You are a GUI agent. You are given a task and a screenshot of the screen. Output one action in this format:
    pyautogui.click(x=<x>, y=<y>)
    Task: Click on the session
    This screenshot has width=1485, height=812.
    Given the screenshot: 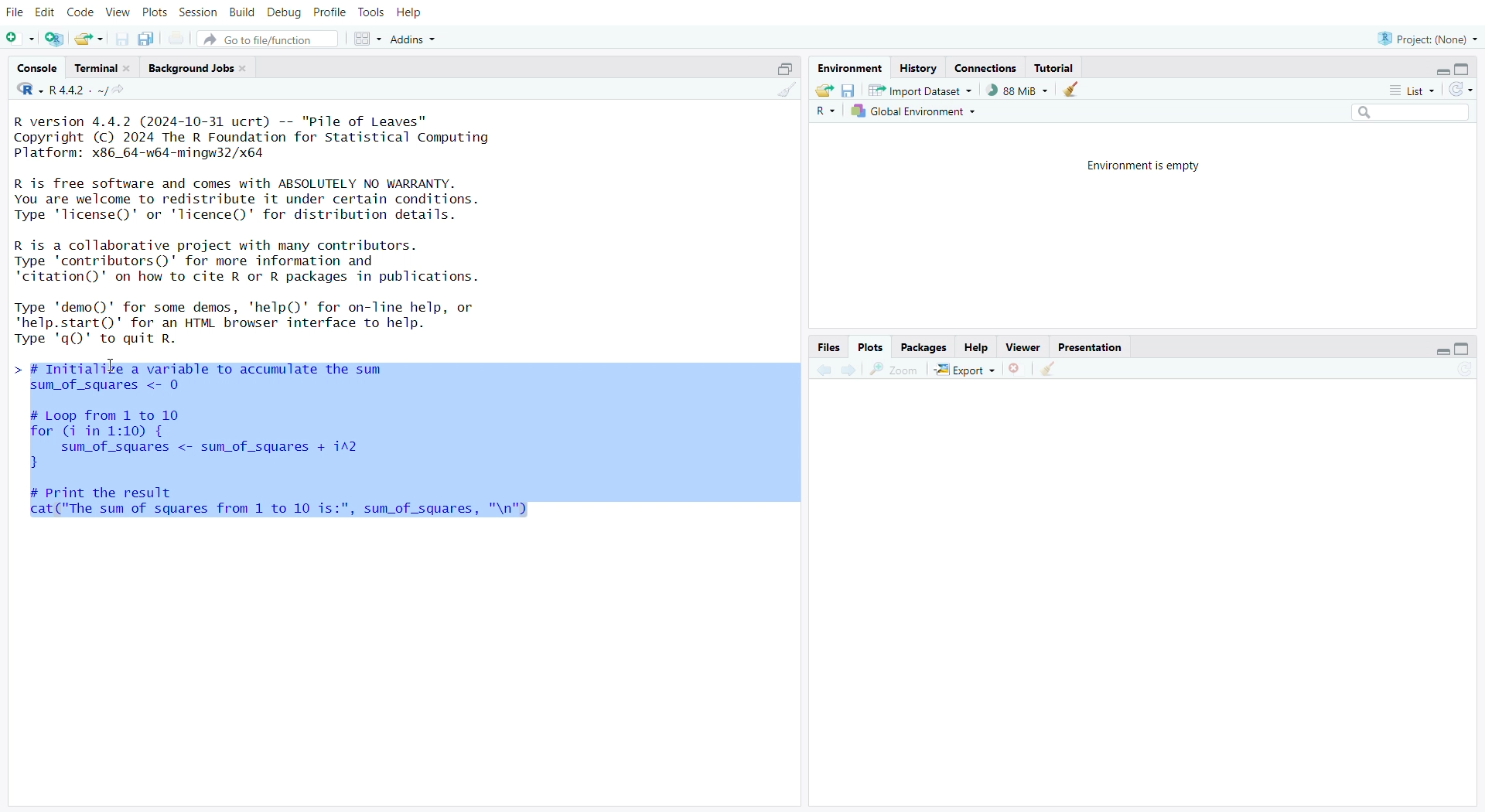 What is the action you would take?
    pyautogui.click(x=198, y=11)
    